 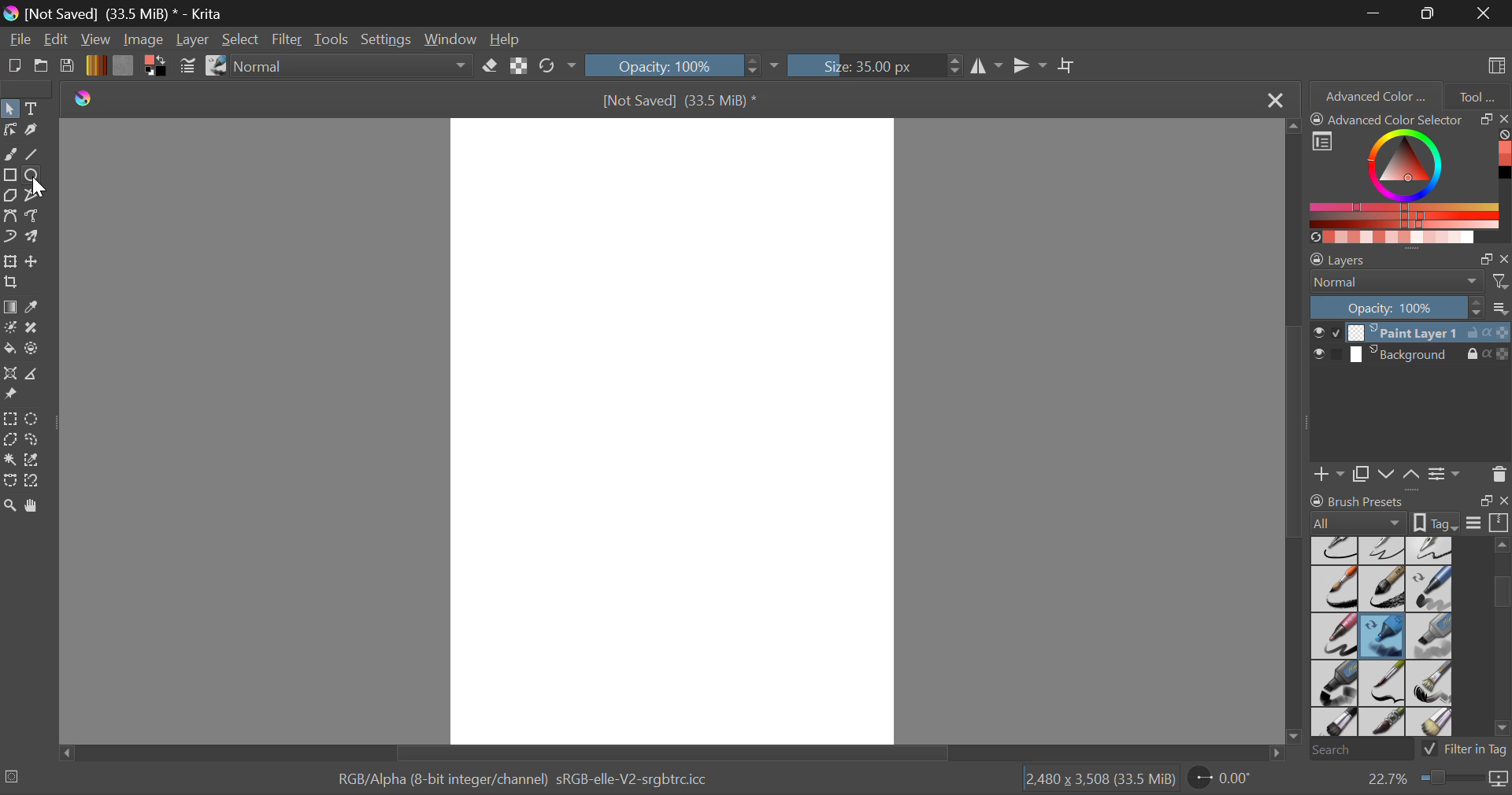 What do you see at coordinates (1410, 307) in the screenshot?
I see `Layer Opacity` at bounding box center [1410, 307].